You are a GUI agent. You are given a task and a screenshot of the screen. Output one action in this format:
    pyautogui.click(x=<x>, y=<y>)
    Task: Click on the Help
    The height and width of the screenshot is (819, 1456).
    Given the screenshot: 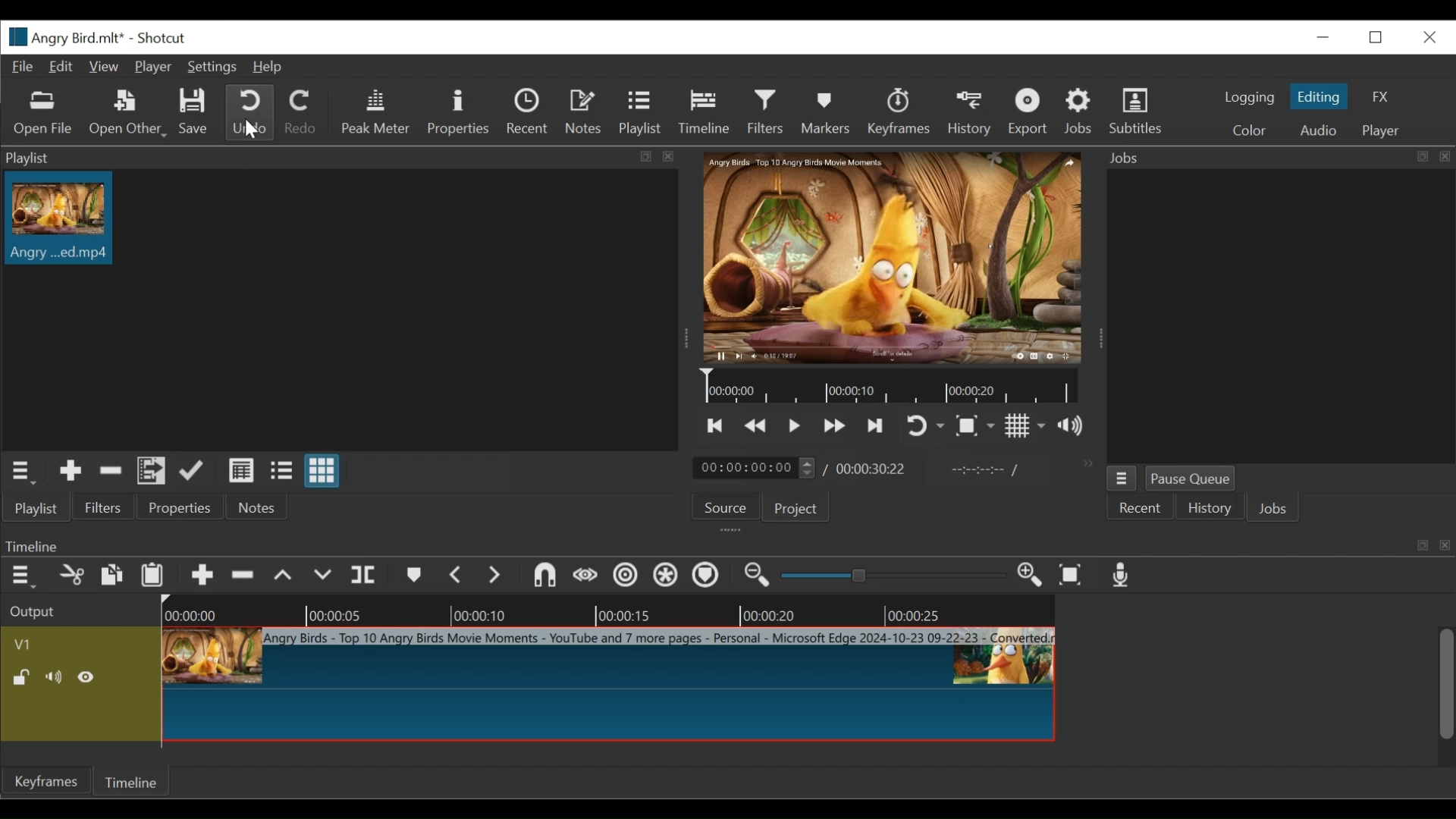 What is the action you would take?
    pyautogui.click(x=269, y=66)
    